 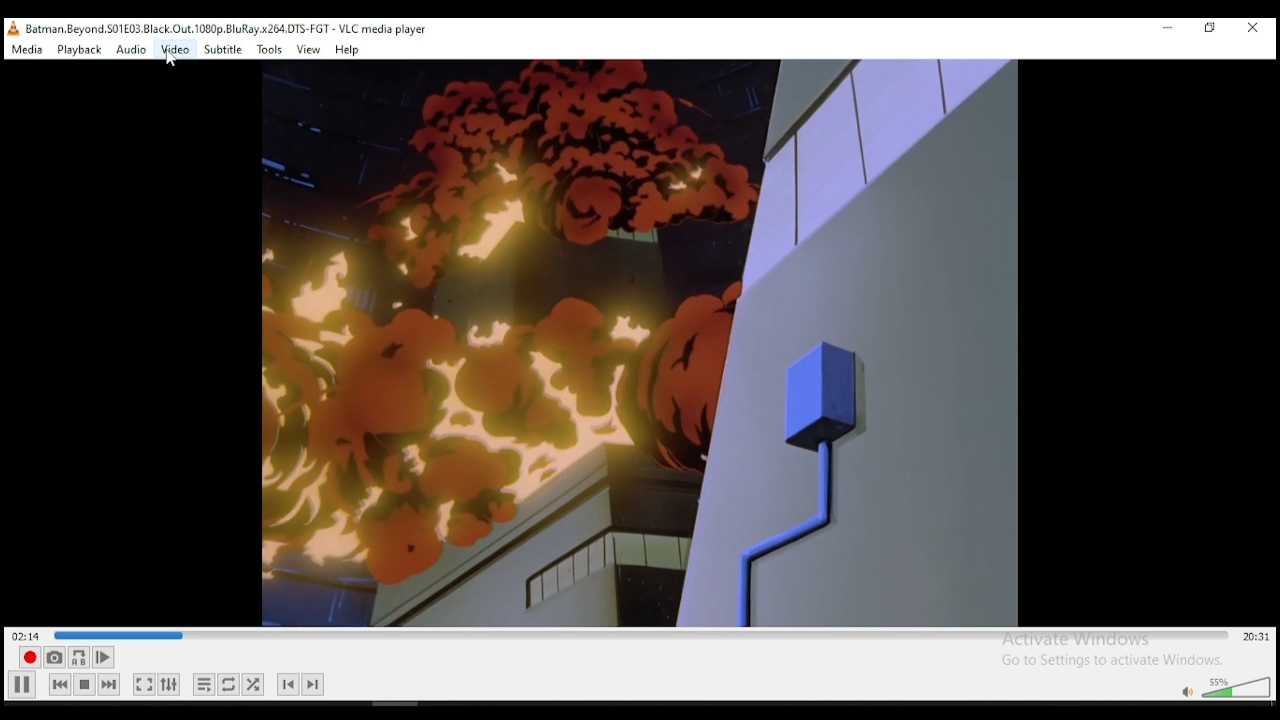 I want to click on media, so click(x=26, y=49).